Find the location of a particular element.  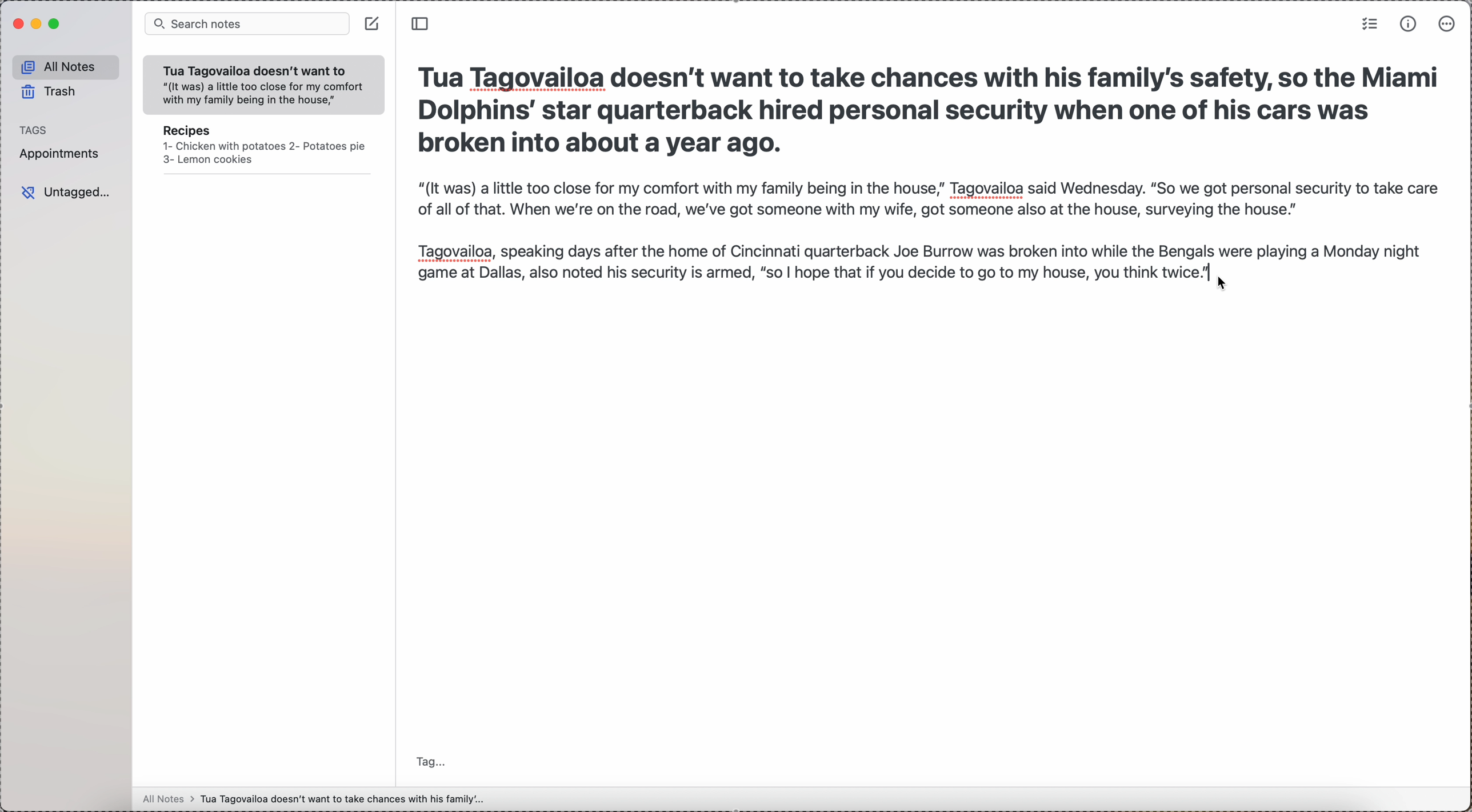

create note is located at coordinates (371, 26).